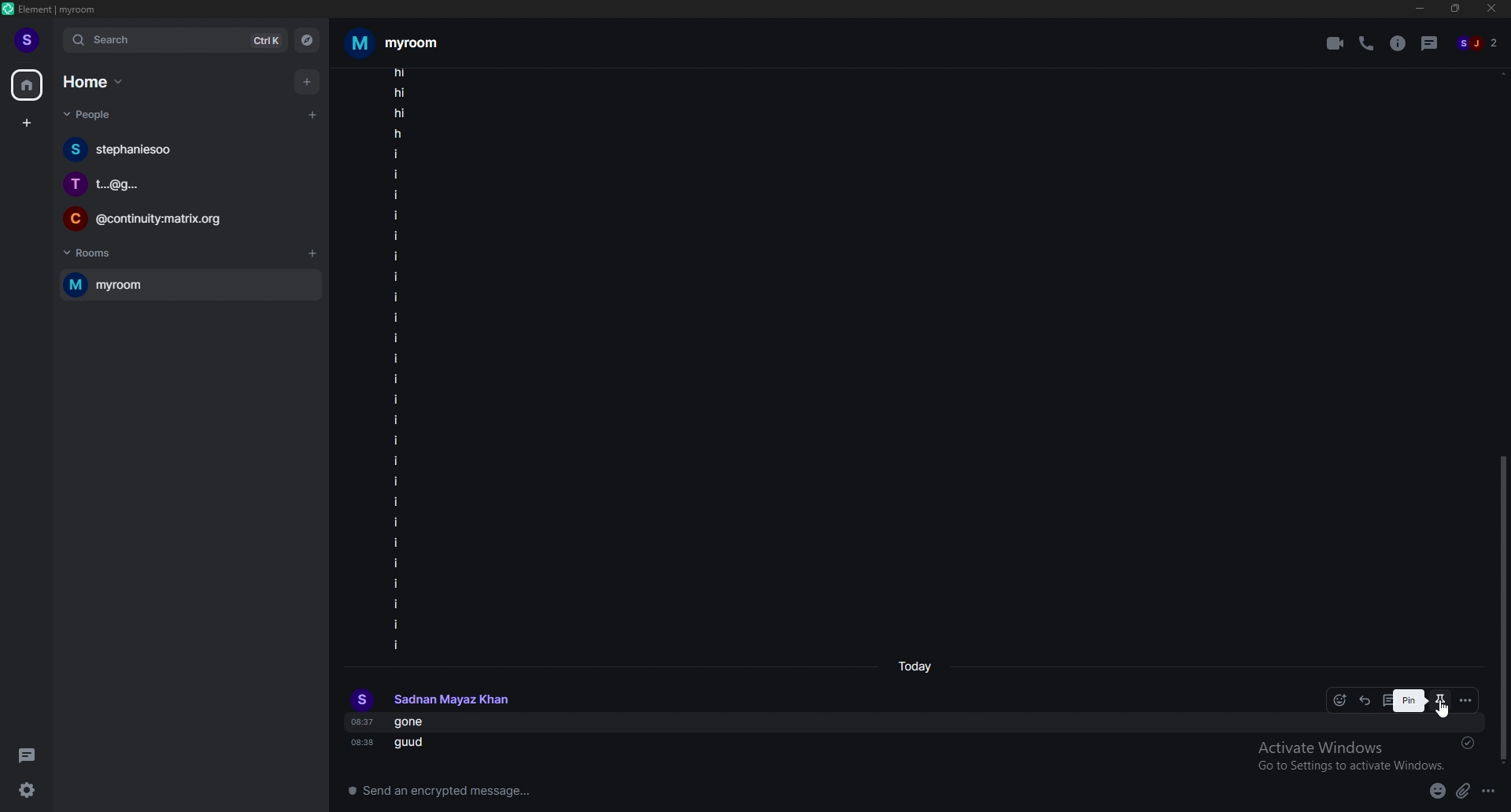 The image size is (1511, 812). I want to click on search bar, so click(175, 40).